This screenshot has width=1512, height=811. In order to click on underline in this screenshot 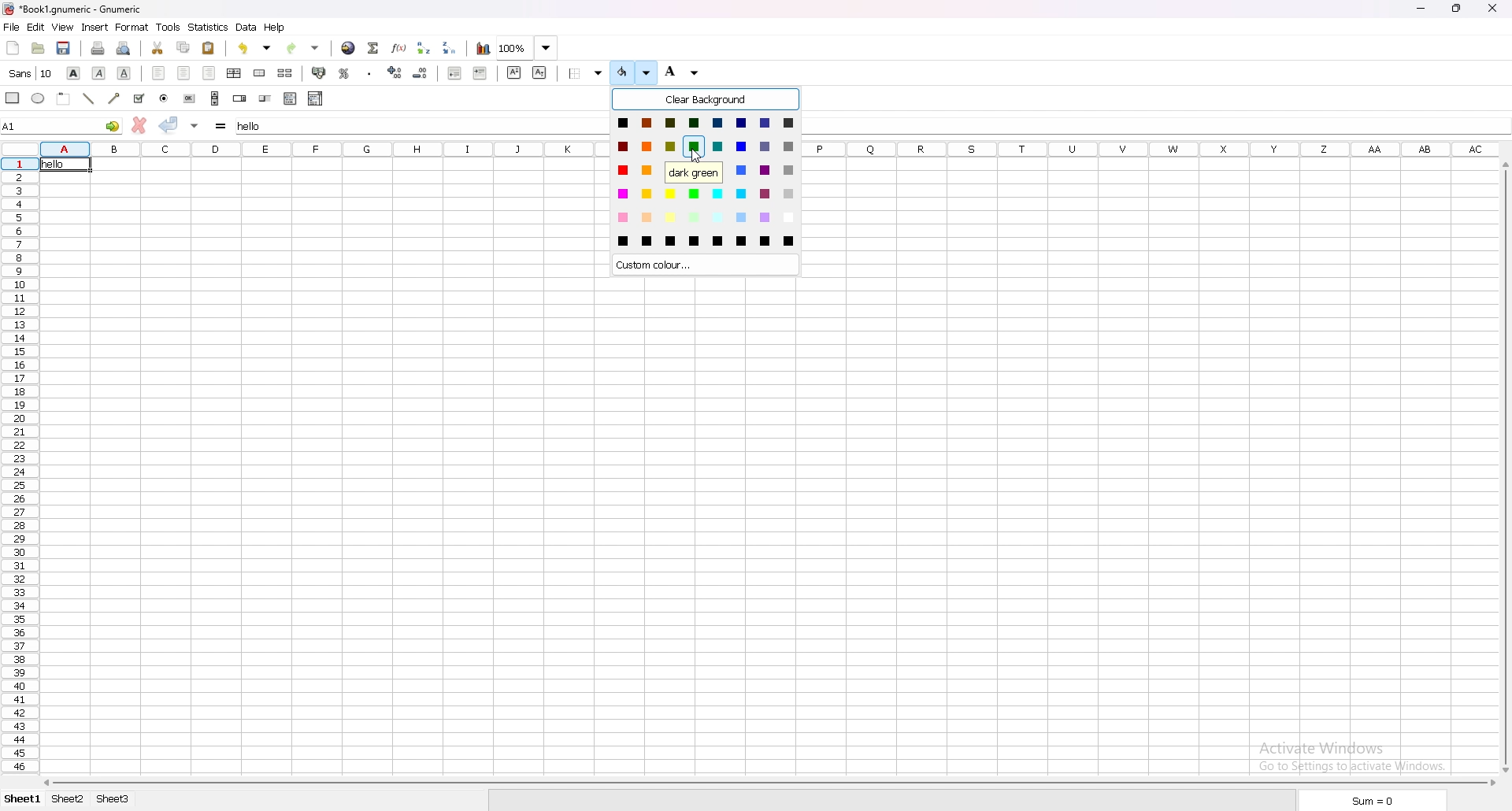, I will do `click(124, 73)`.